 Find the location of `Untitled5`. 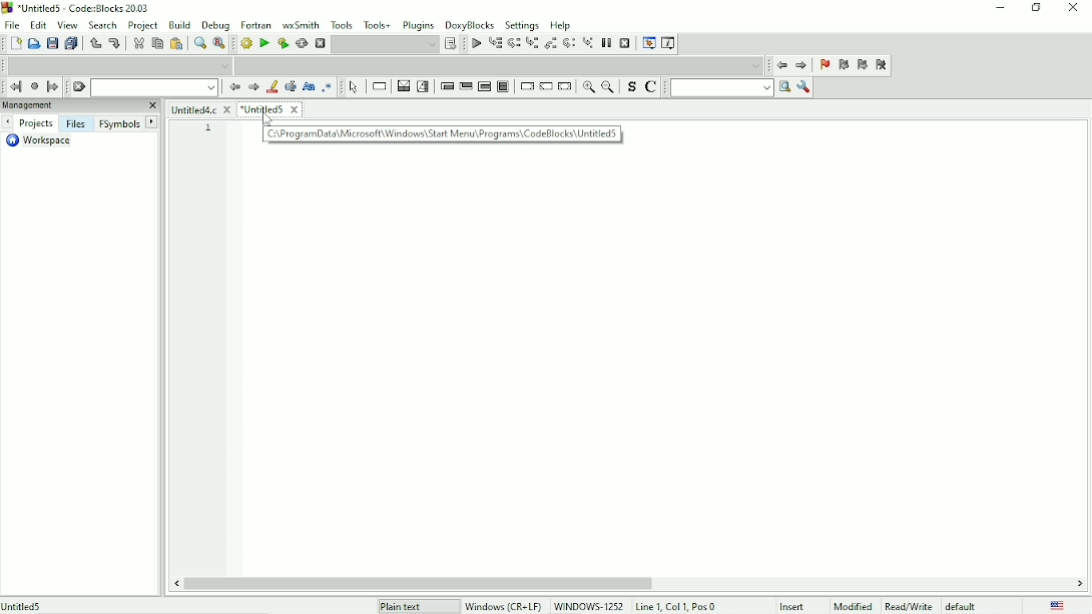

Untitled5 is located at coordinates (271, 111).